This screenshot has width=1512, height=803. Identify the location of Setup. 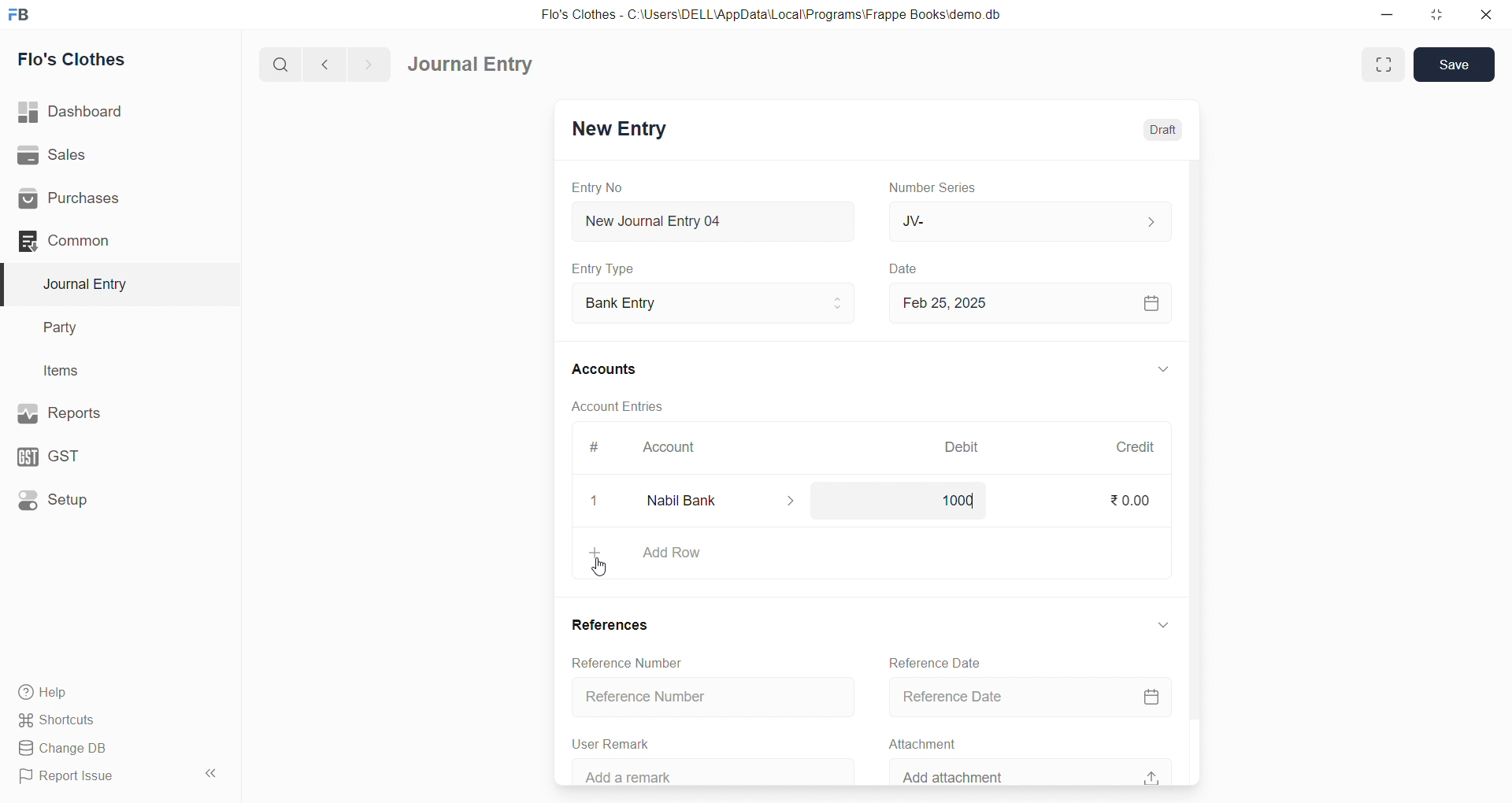
(111, 498).